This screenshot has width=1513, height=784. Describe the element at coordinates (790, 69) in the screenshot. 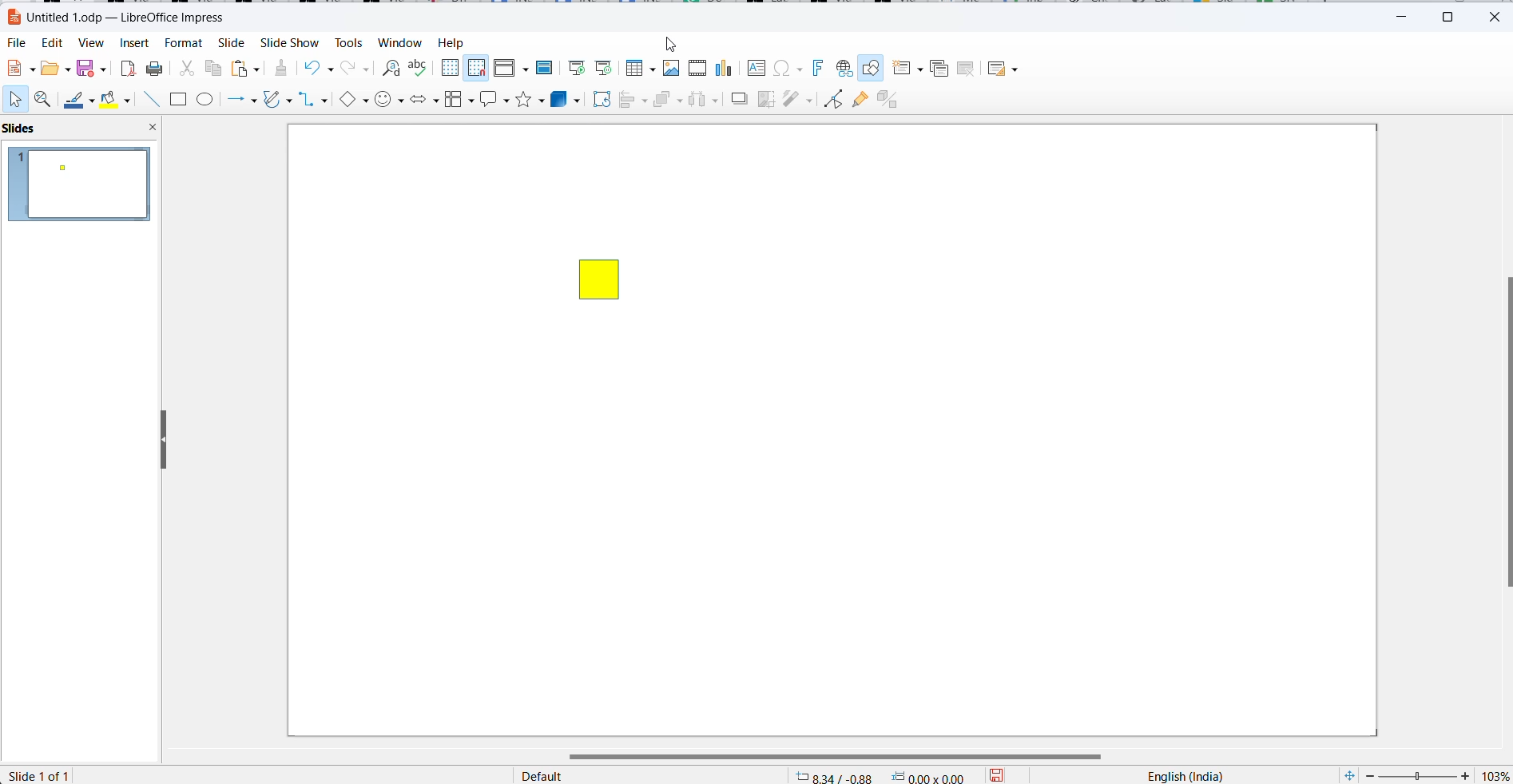

I see `Insert special characters` at that location.